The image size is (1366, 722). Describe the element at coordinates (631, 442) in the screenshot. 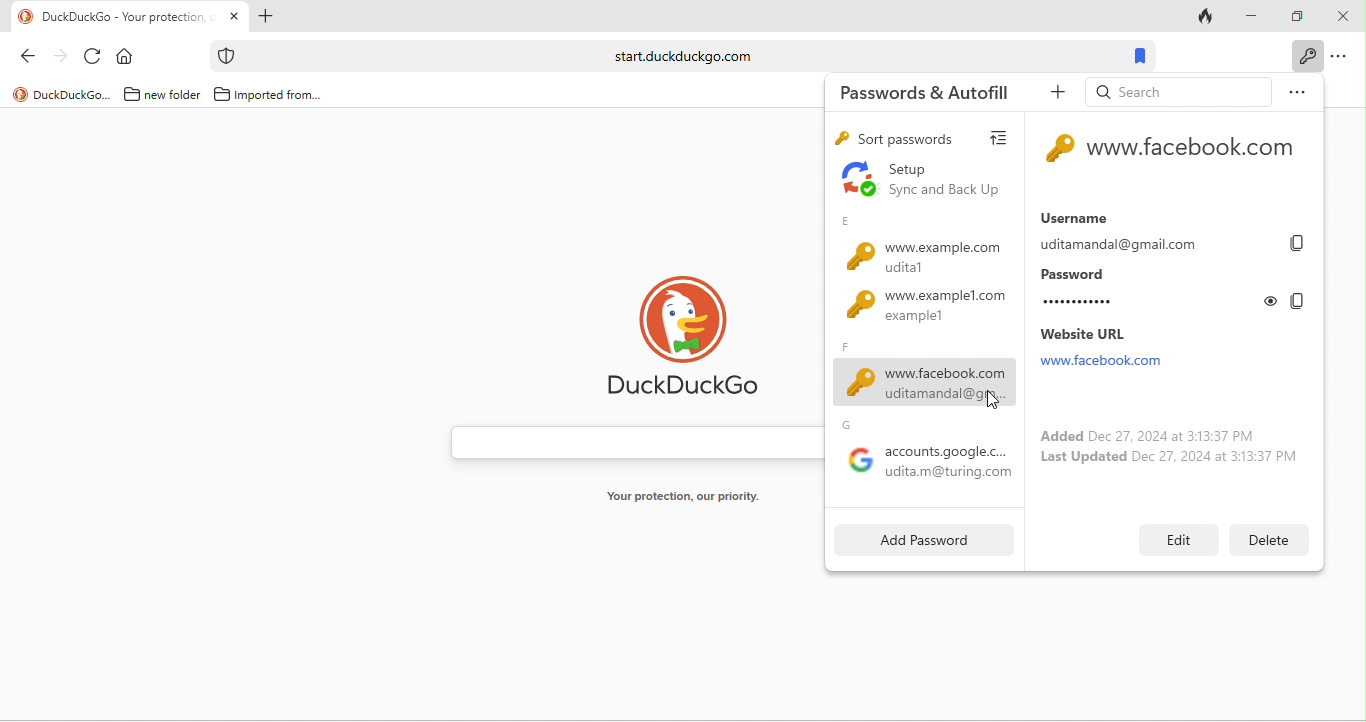

I see `search bar` at that location.